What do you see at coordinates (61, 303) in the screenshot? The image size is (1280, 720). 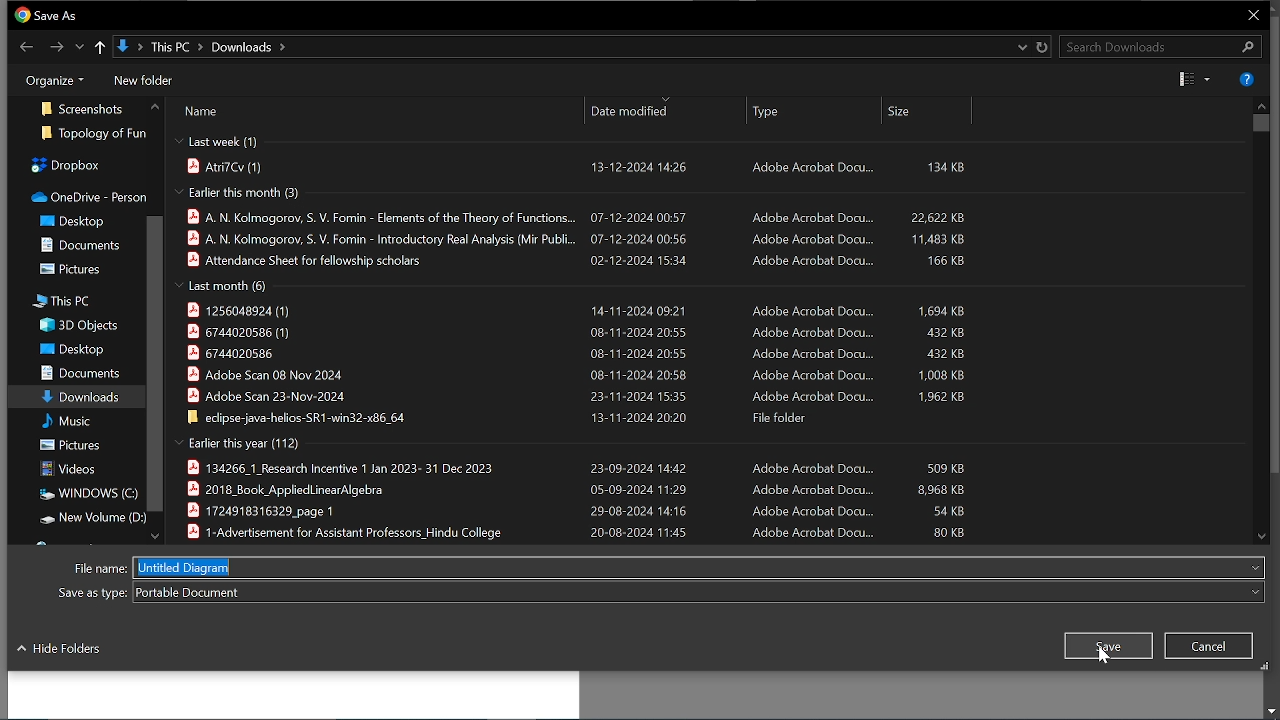 I see `this PC` at bounding box center [61, 303].